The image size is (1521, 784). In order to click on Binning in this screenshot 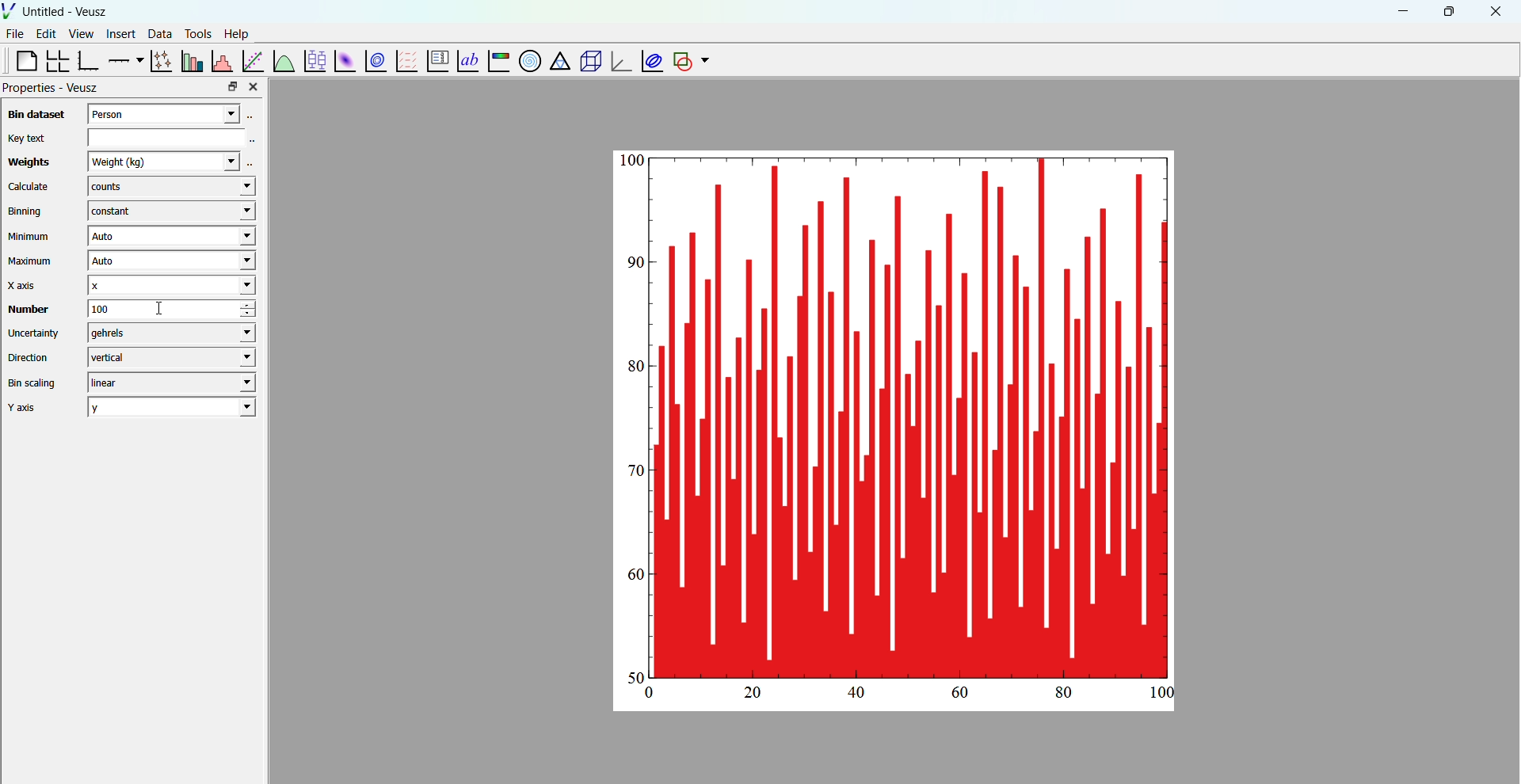, I will do `click(28, 211)`.